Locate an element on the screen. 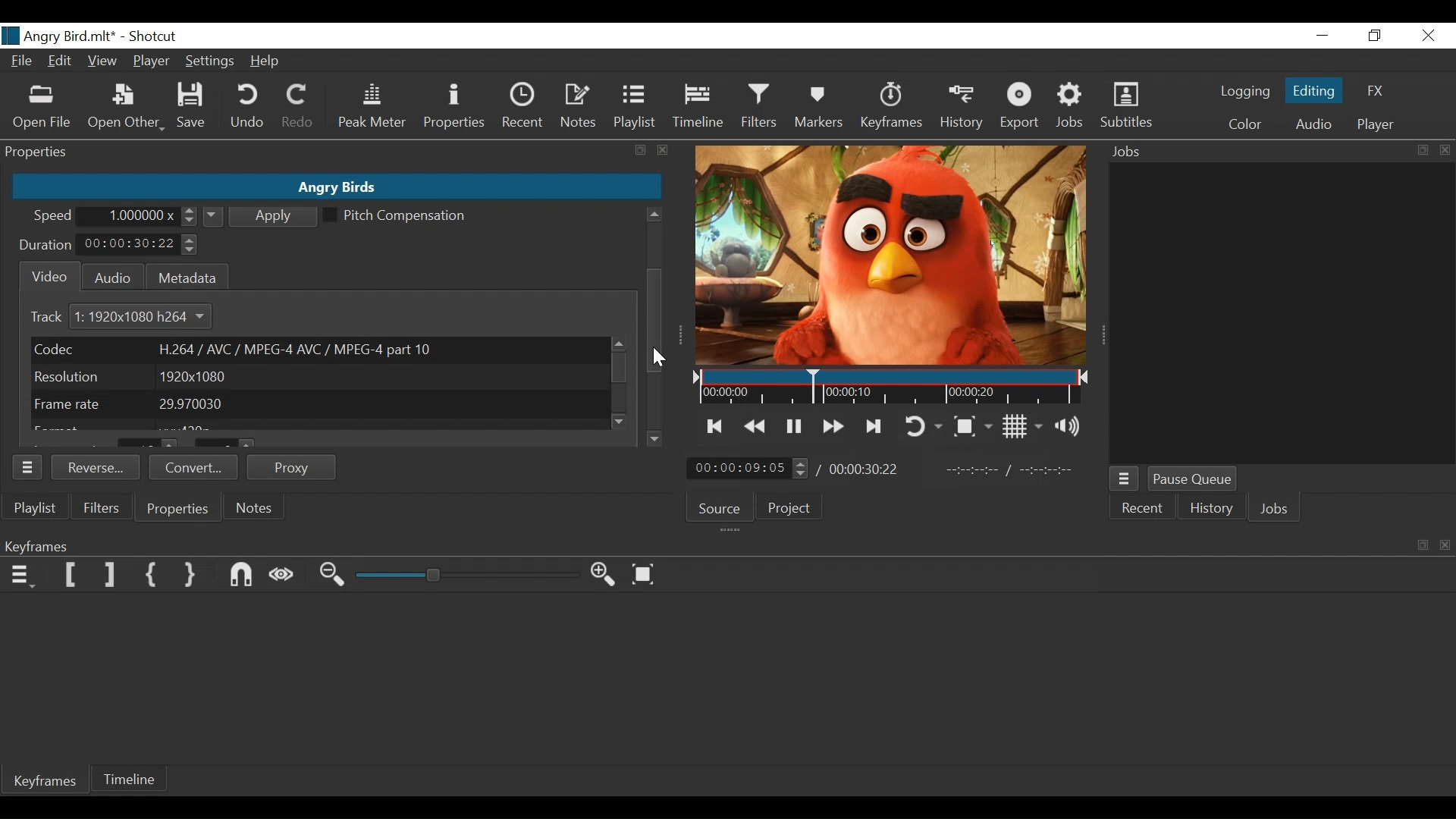 Image resolution: width=1456 pixels, height=819 pixels. Set Filter last is located at coordinates (110, 576).